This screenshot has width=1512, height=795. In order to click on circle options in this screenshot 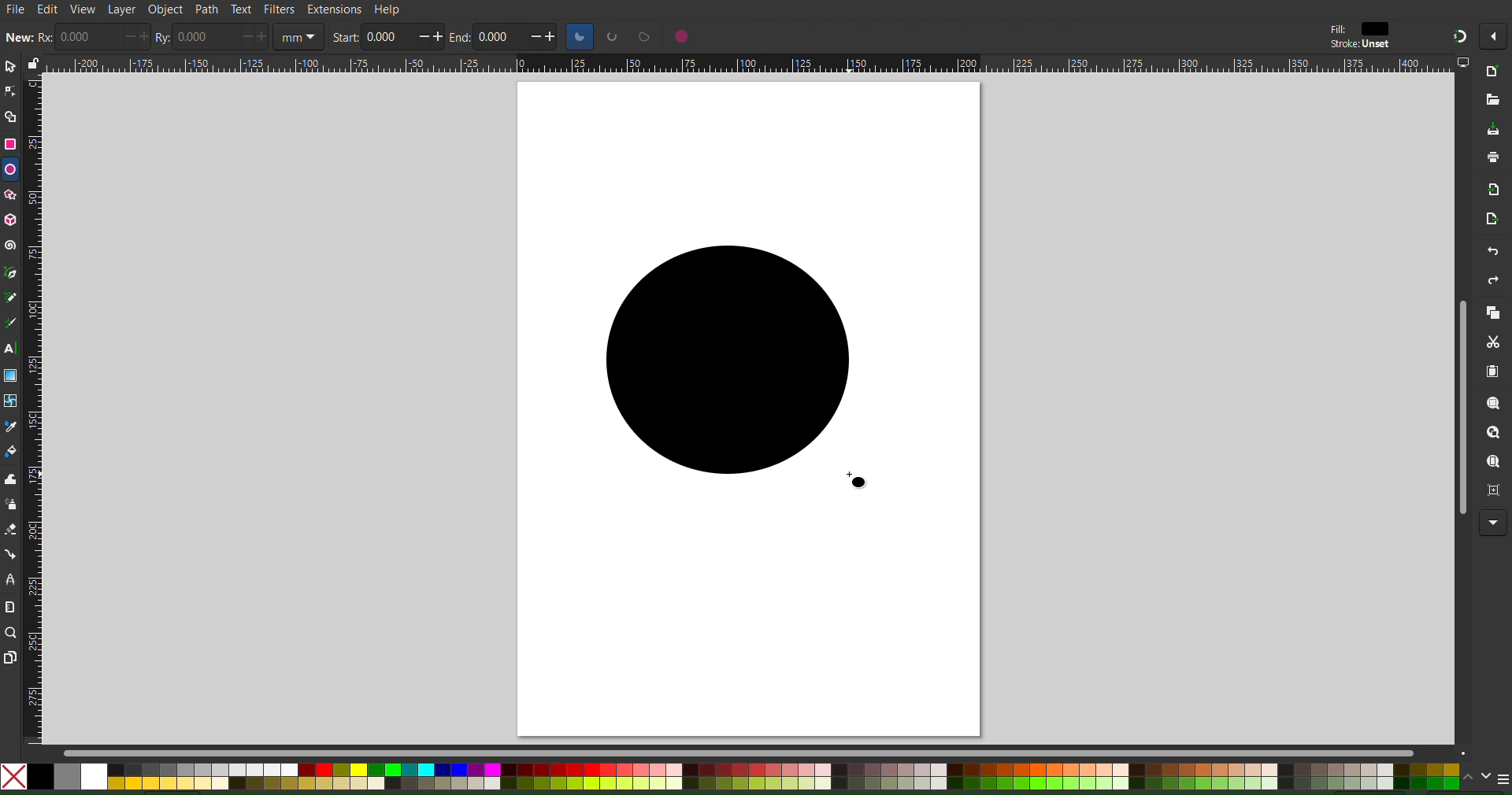, I will do `click(643, 36)`.